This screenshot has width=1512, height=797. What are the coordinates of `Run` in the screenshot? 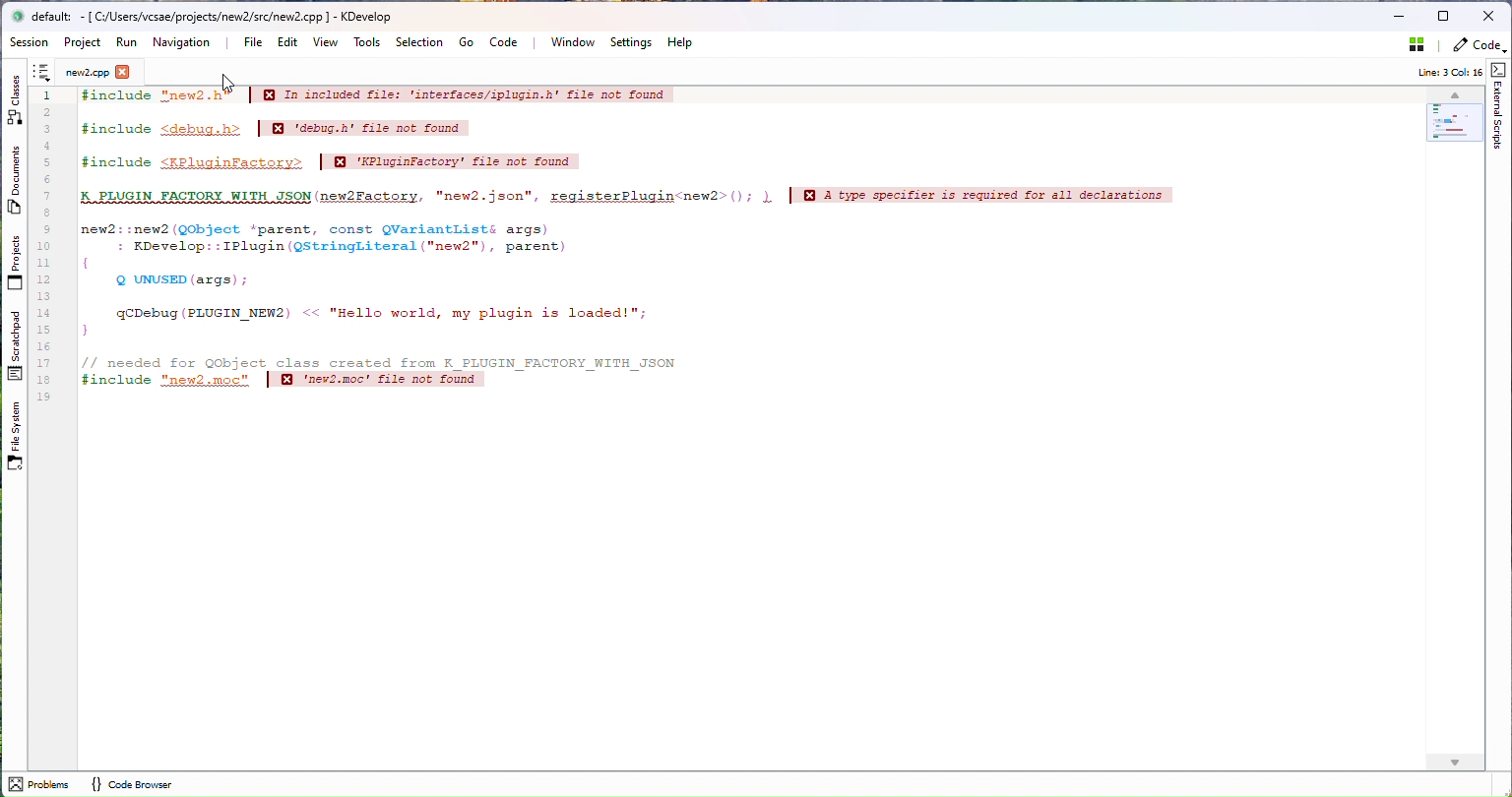 It's located at (128, 44).